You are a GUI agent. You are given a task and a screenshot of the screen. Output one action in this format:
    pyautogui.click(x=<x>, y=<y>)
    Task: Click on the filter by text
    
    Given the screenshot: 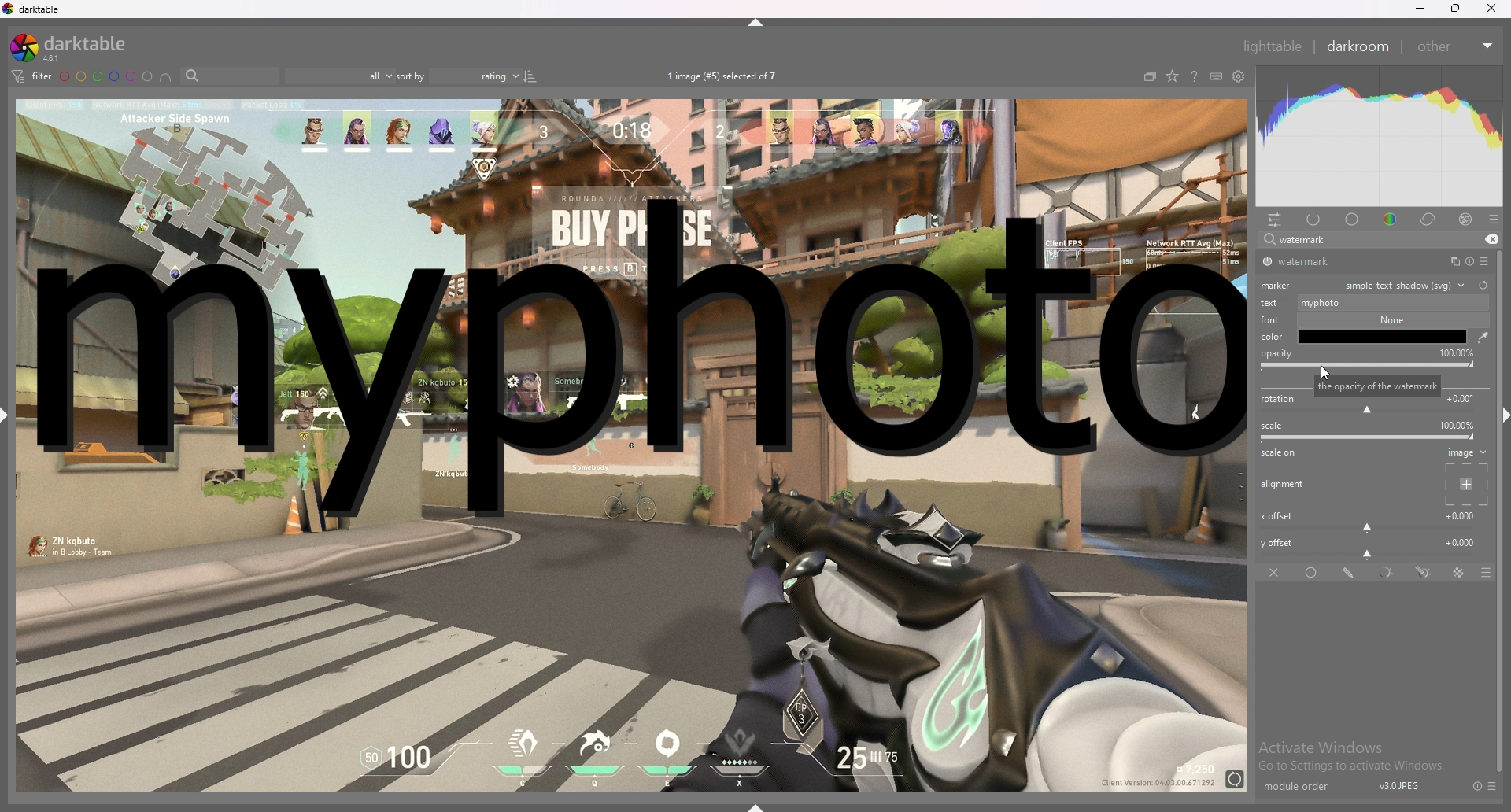 What is the action you would take?
    pyautogui.click(x=230, y=76)
    